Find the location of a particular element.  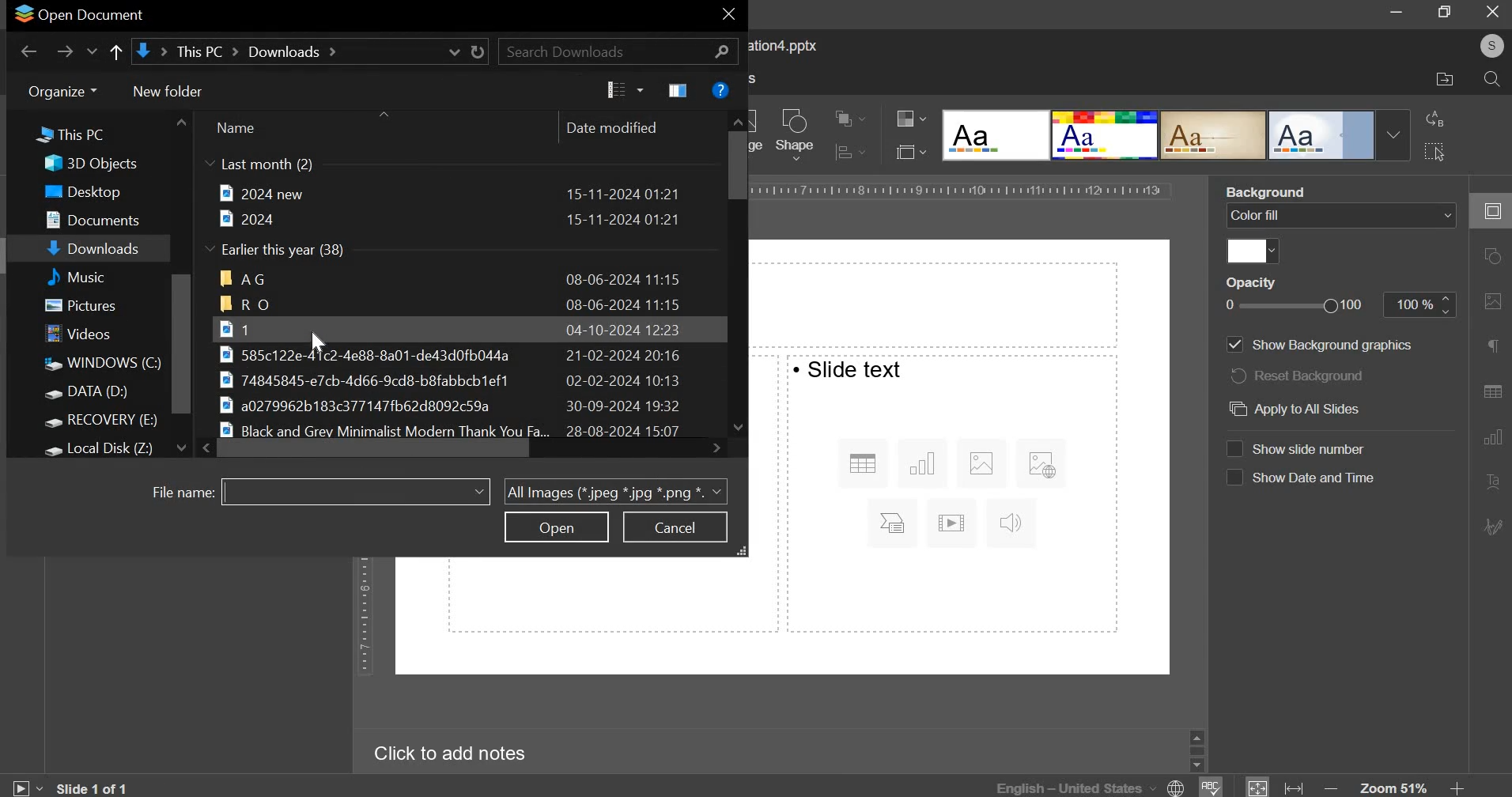

maximize is located at coordinates (1446, 11).